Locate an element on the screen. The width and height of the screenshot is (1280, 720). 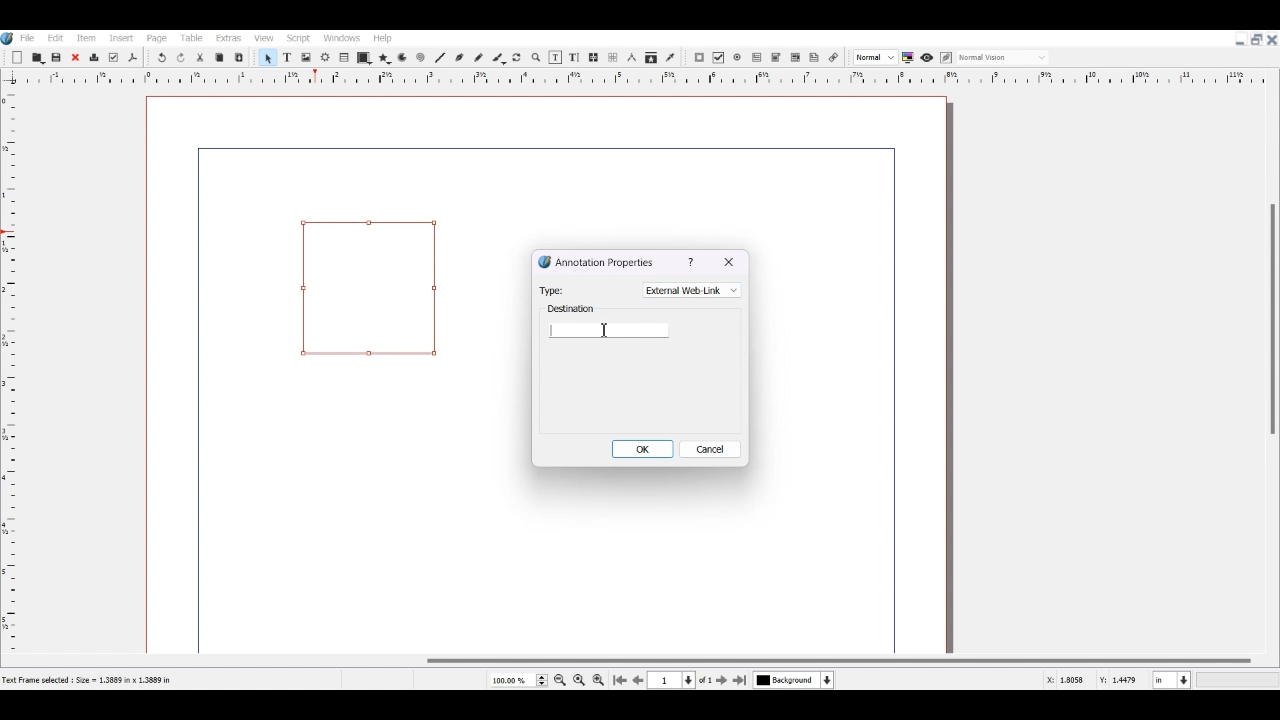
Text Cursor is located at coordinates (605, 331).